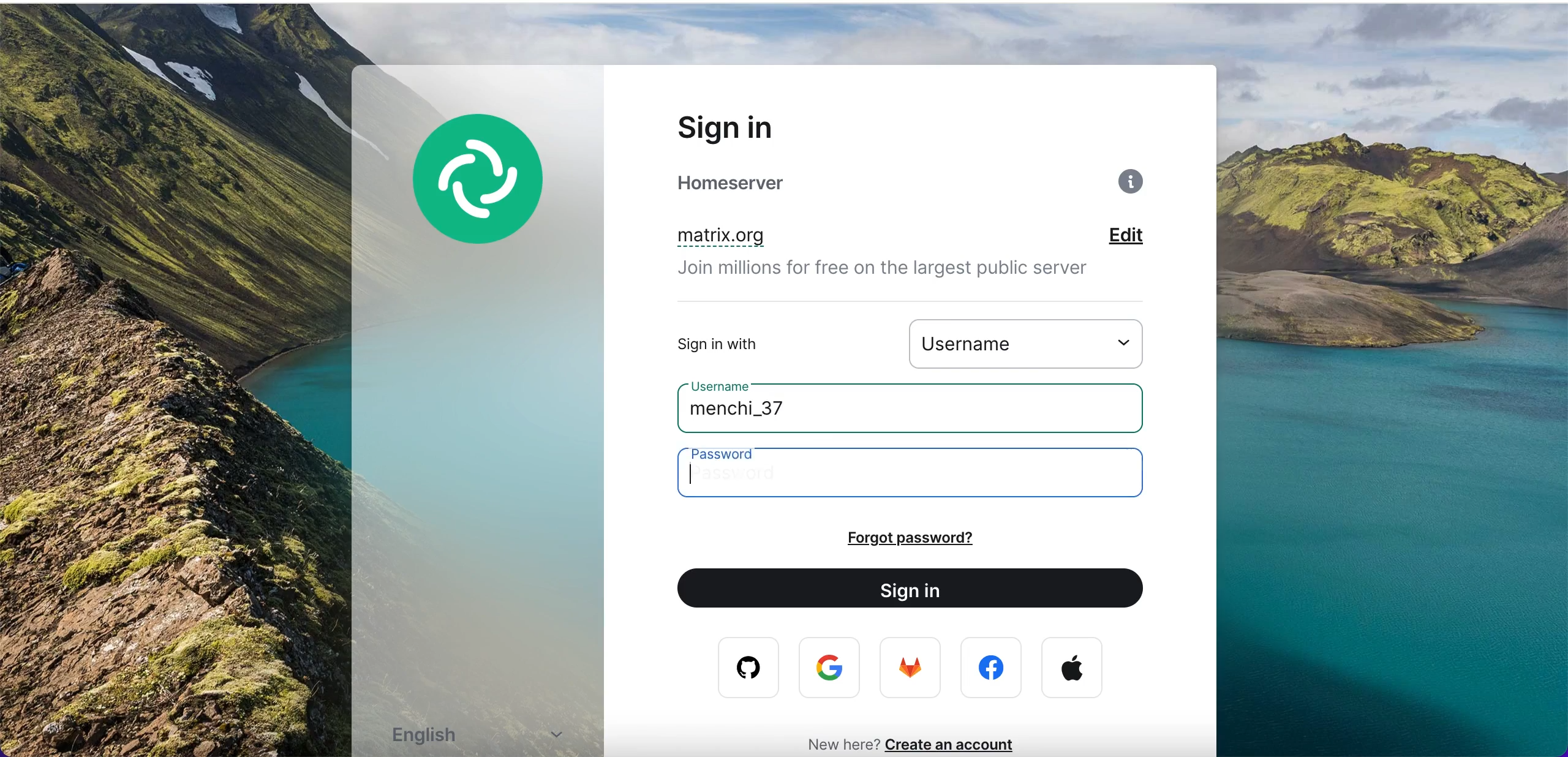 The width and height of the screenshot is (1568, 757). I want to click on english, so click(485, 737).